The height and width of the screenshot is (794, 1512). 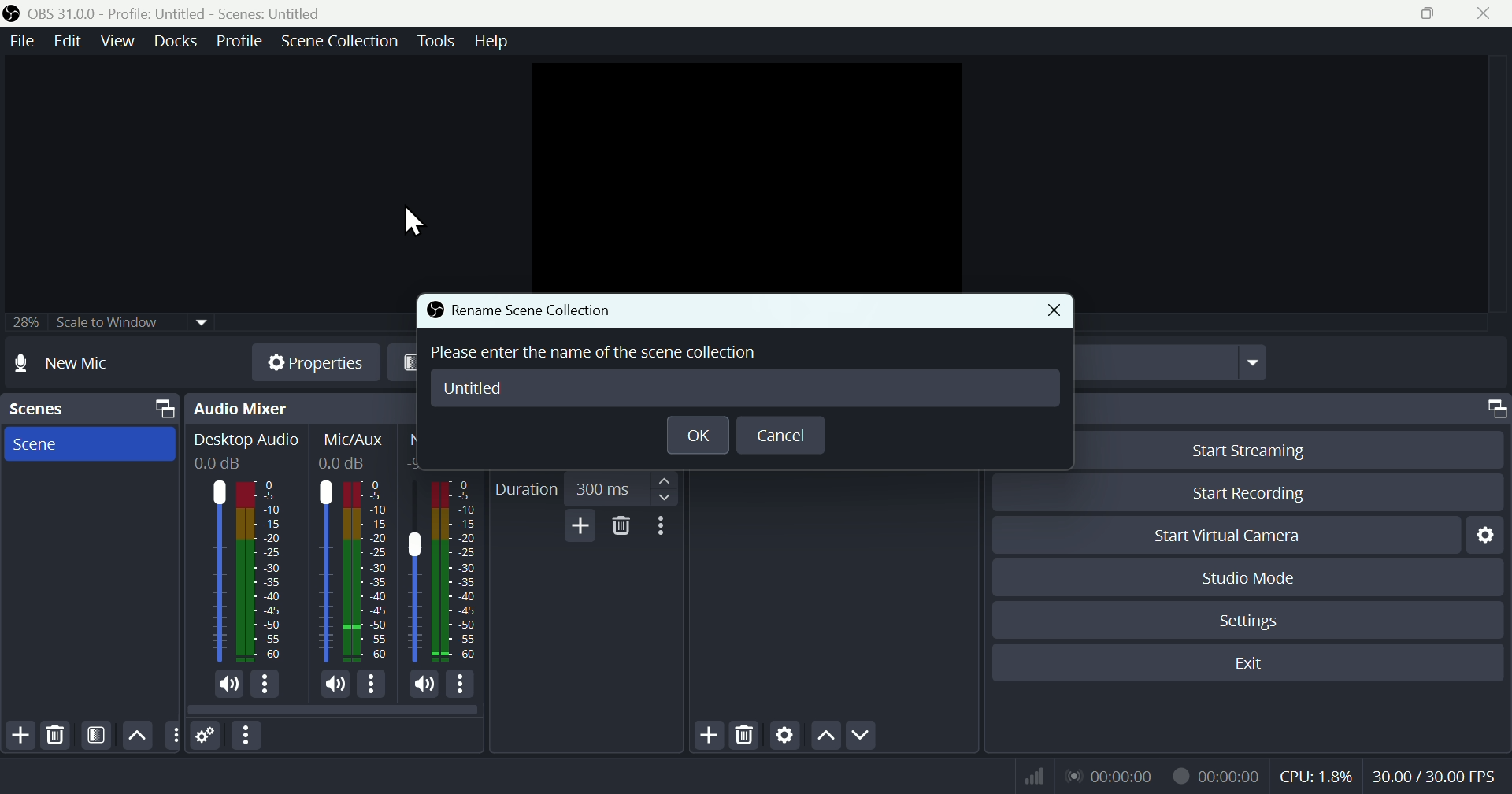 What do you see at coordinates (621, 529) in the screenshot?
I see `Delete` at bounding box center [621, 529].